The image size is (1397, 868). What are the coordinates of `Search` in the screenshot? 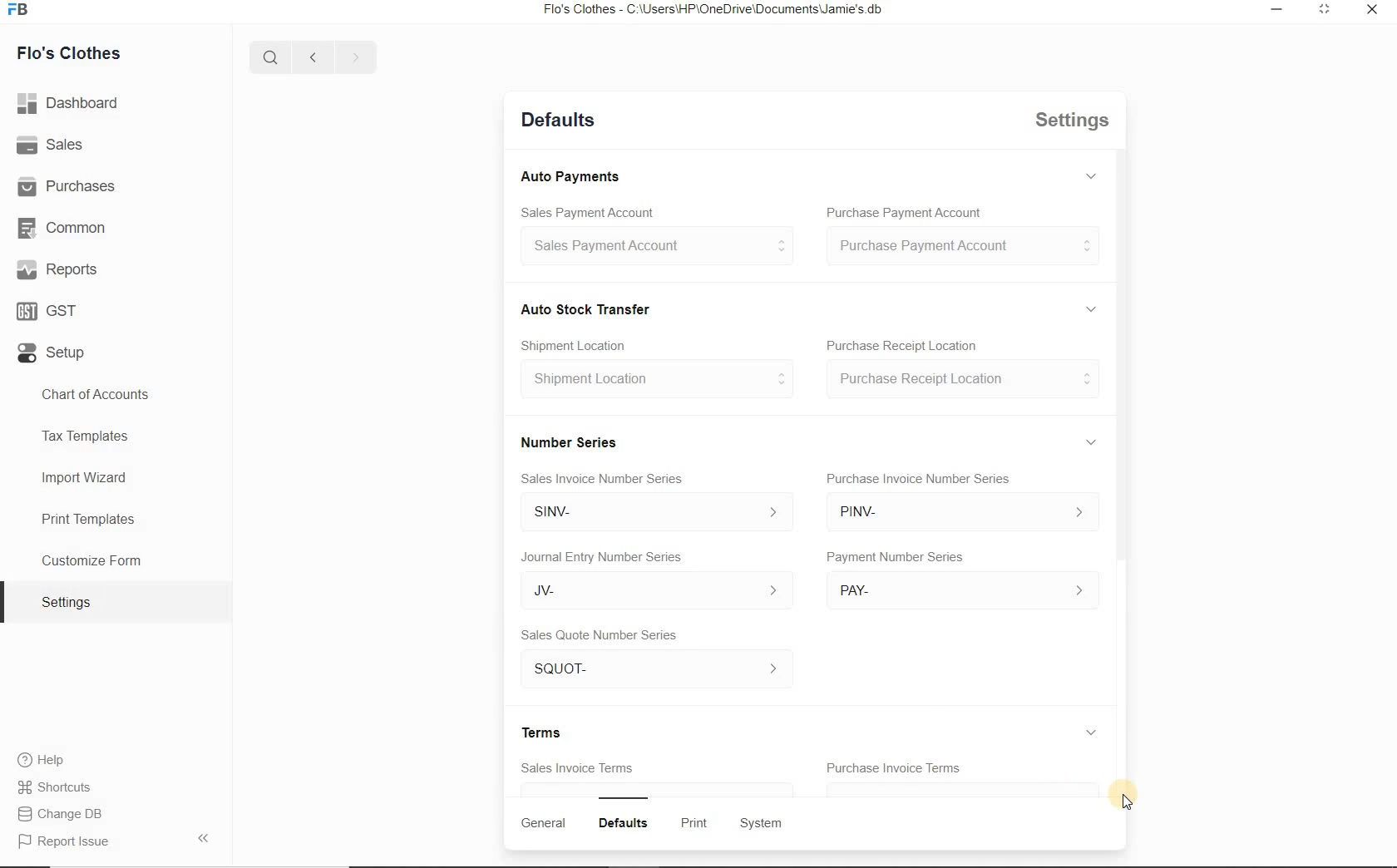 It's located at (268, 55).